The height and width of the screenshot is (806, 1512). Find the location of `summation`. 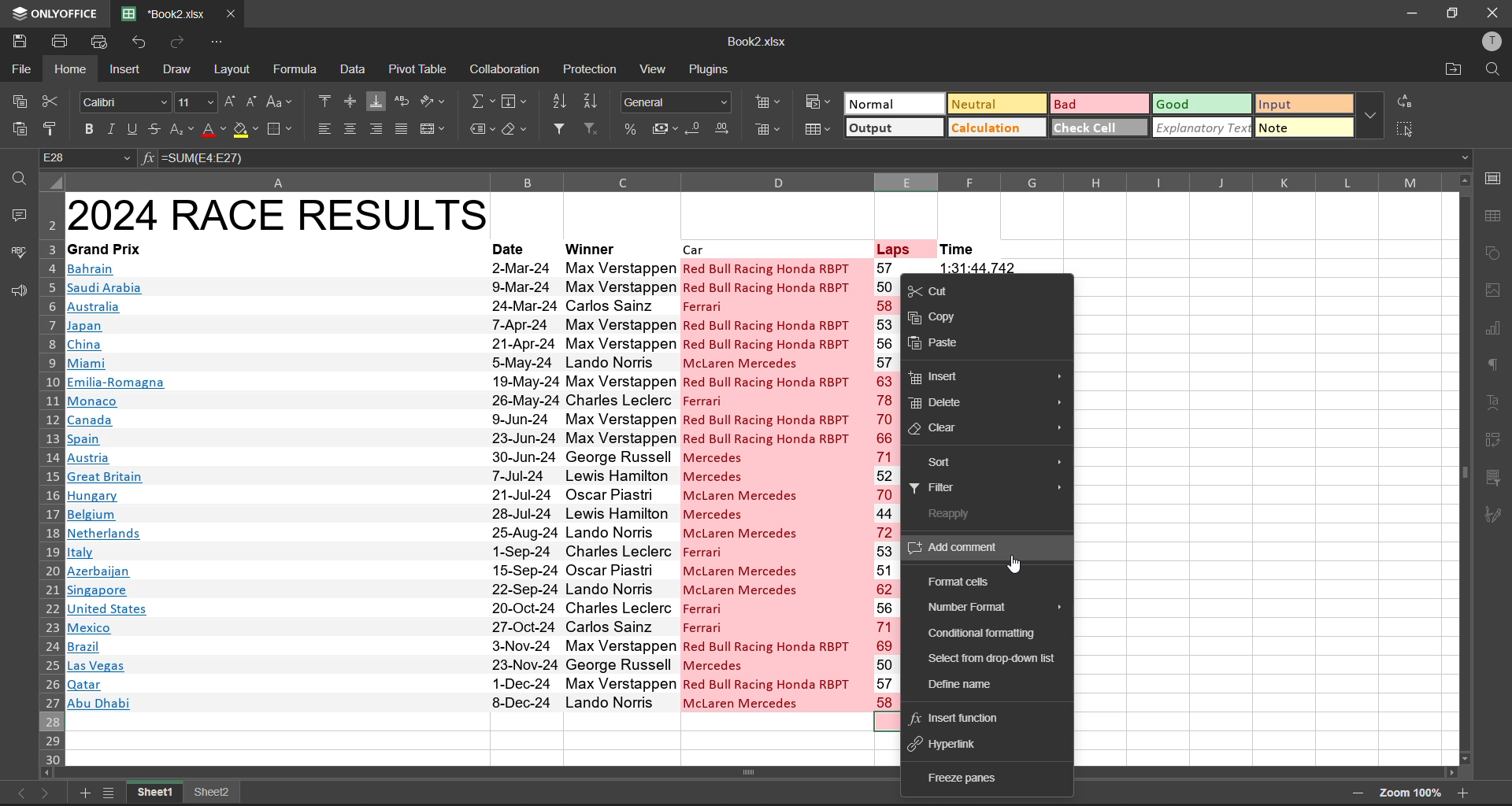

summation is located at coordinates (482, 102).